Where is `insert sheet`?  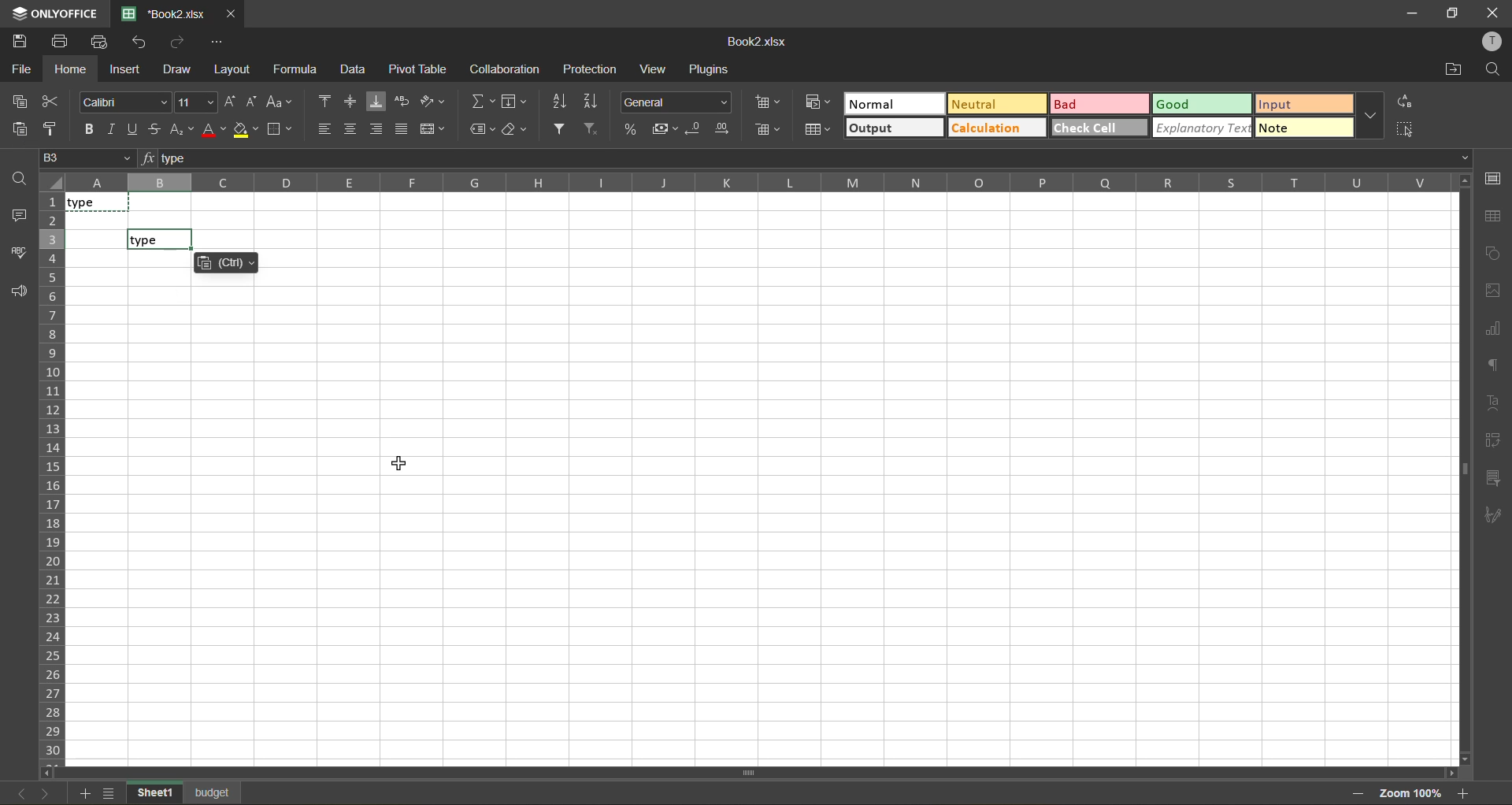
insert sheet is located at coordinates (82, 793).